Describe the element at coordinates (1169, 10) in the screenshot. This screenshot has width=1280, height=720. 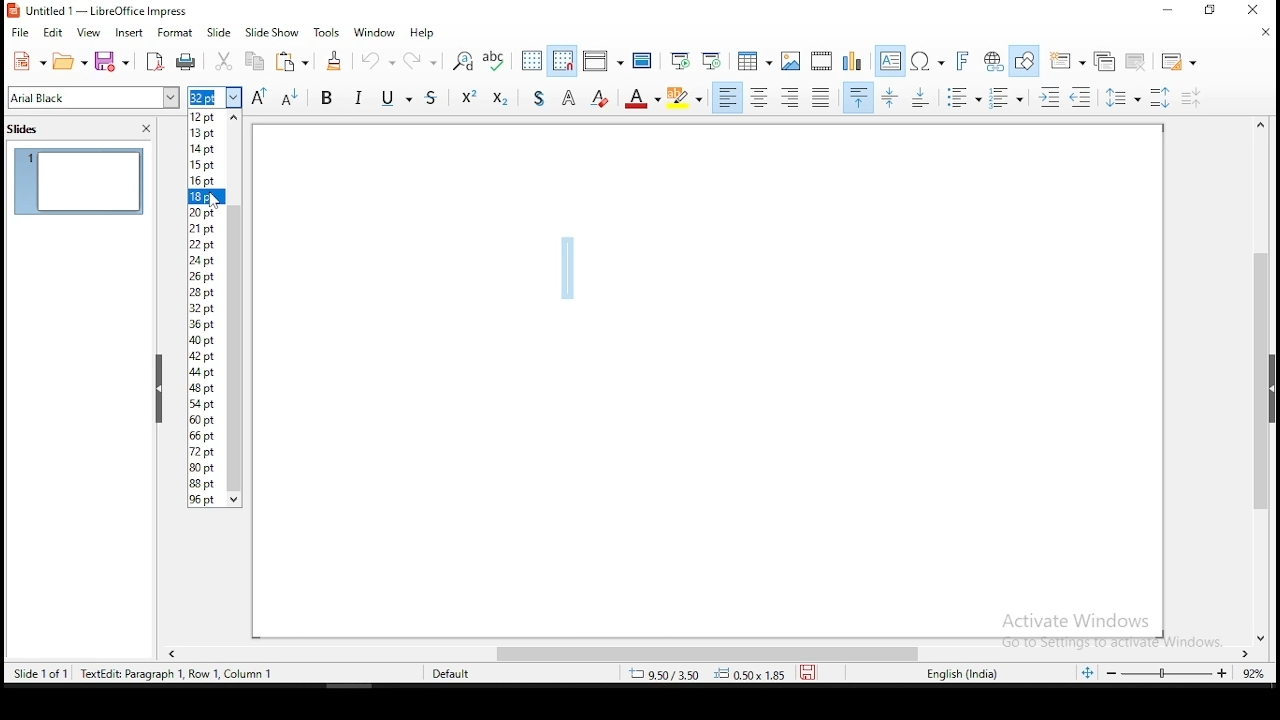
I see `minimize` at that location.